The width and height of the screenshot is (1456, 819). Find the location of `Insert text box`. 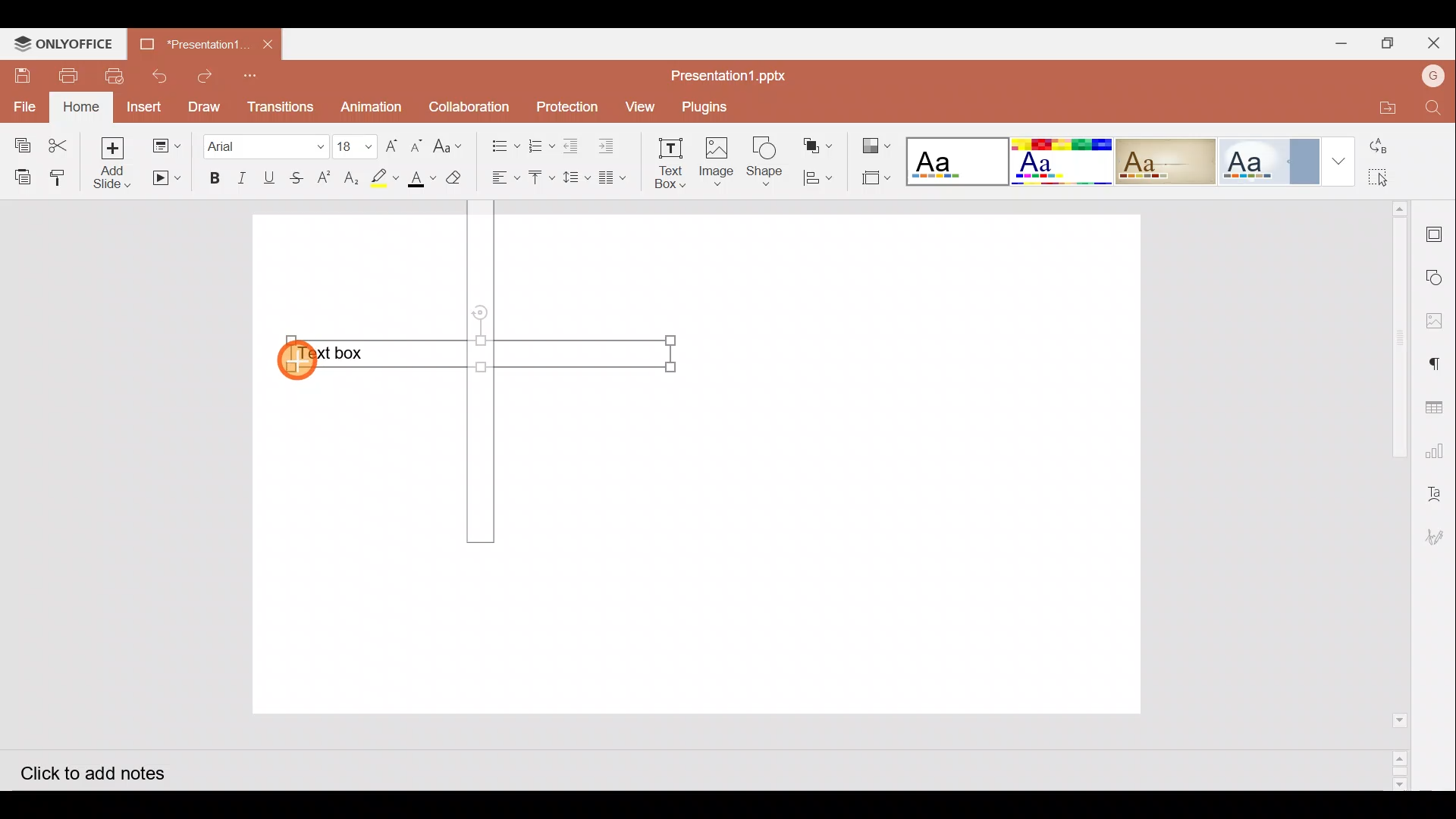

Insert text box is located at coordinates (667, 163).